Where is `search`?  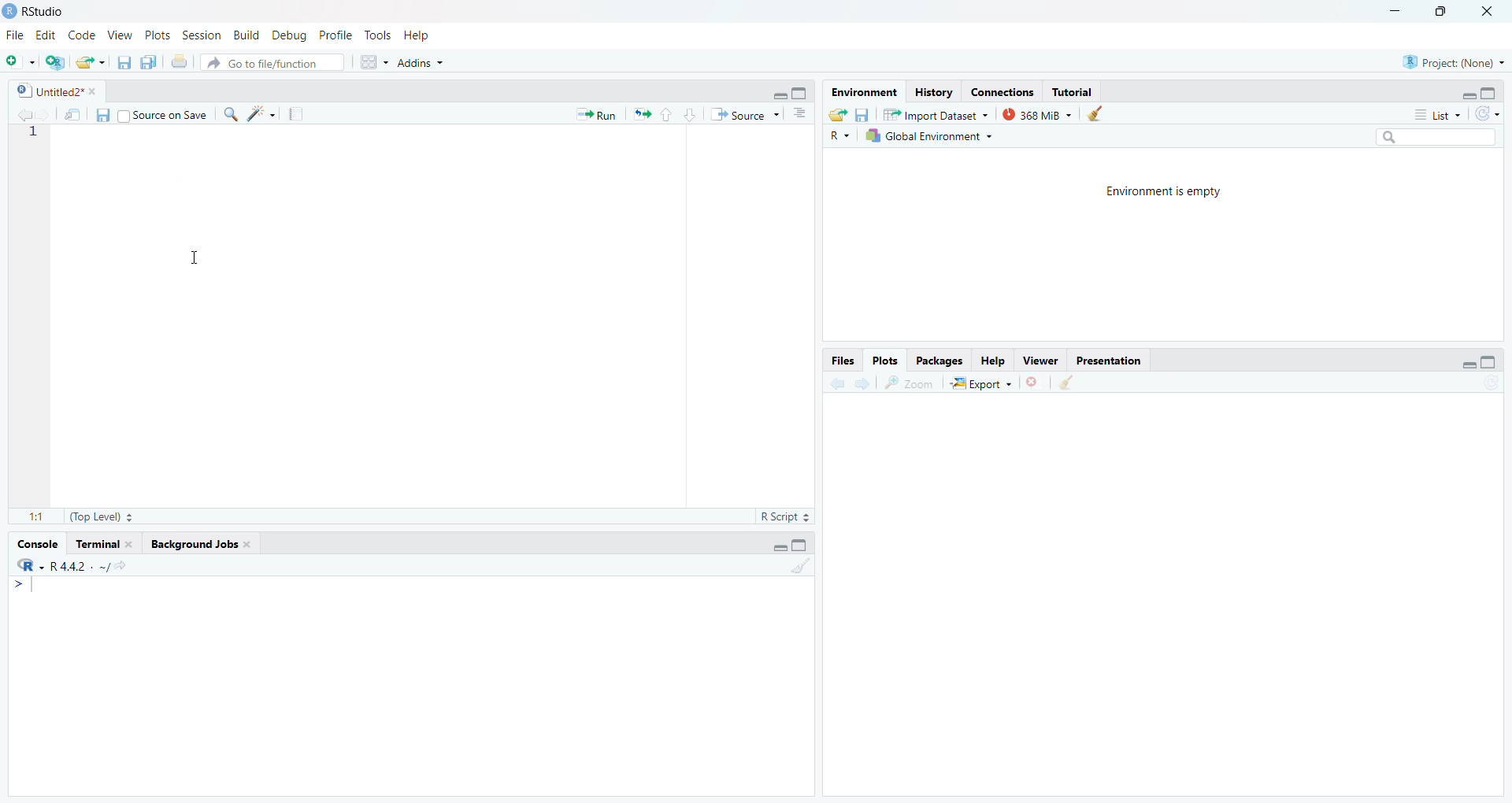 search is located at coordinates (234, 117).